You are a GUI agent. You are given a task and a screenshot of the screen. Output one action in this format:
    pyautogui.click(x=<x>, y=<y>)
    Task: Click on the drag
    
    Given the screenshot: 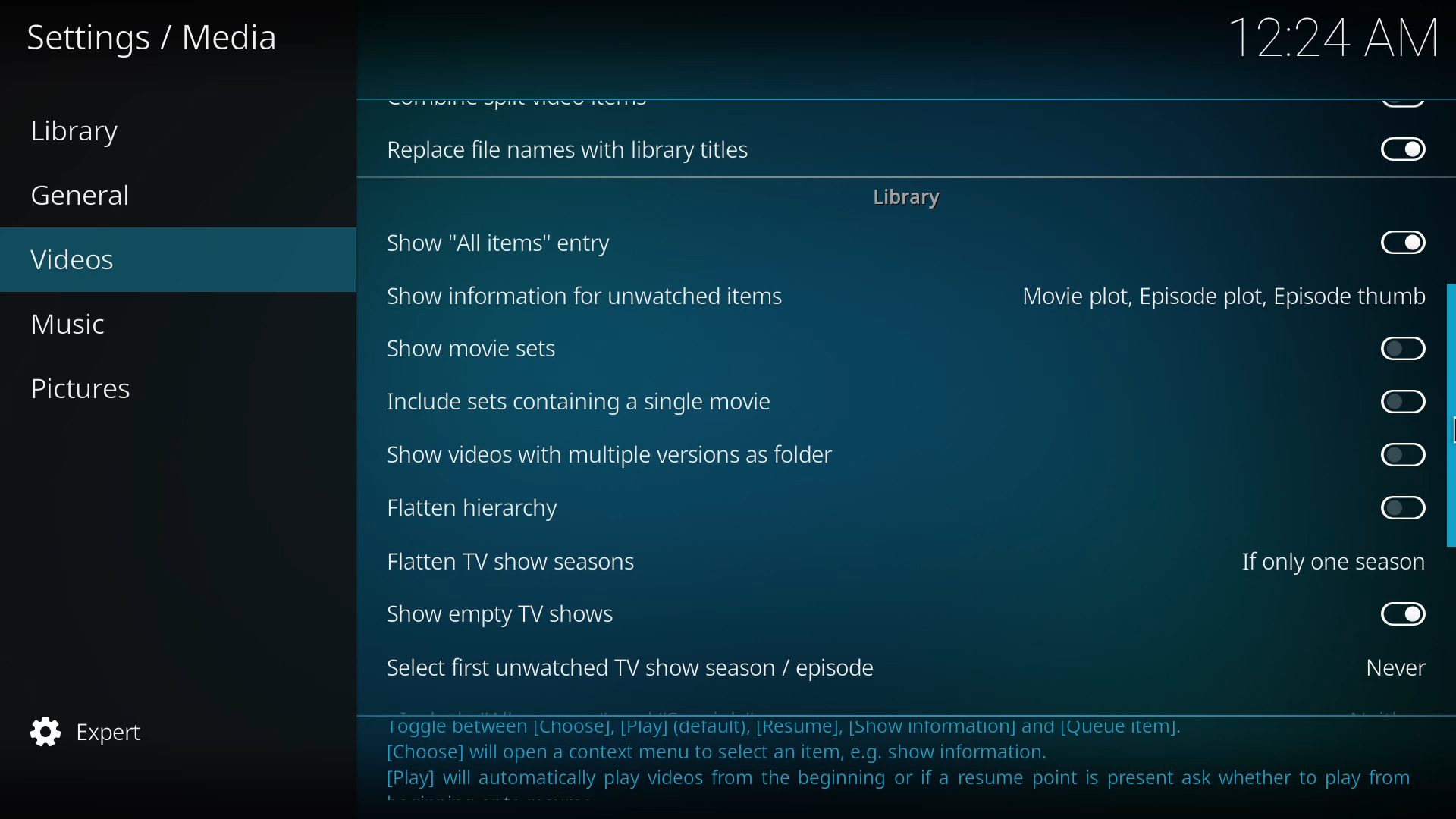 What is the action you would take?
    pyautogui.click(x=1450, y=416)
    